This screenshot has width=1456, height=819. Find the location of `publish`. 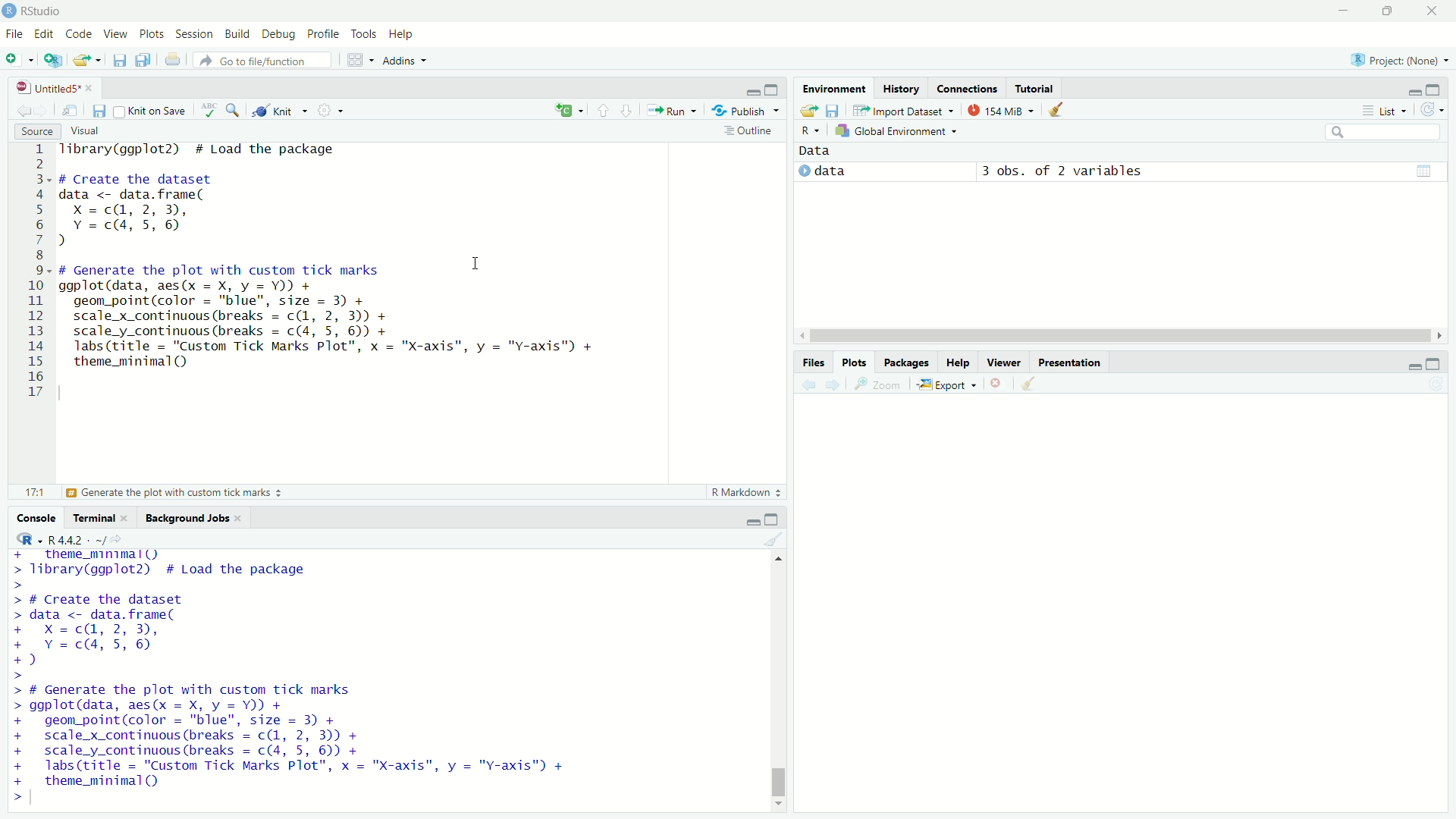

publish is located at coordinates (749, 112).